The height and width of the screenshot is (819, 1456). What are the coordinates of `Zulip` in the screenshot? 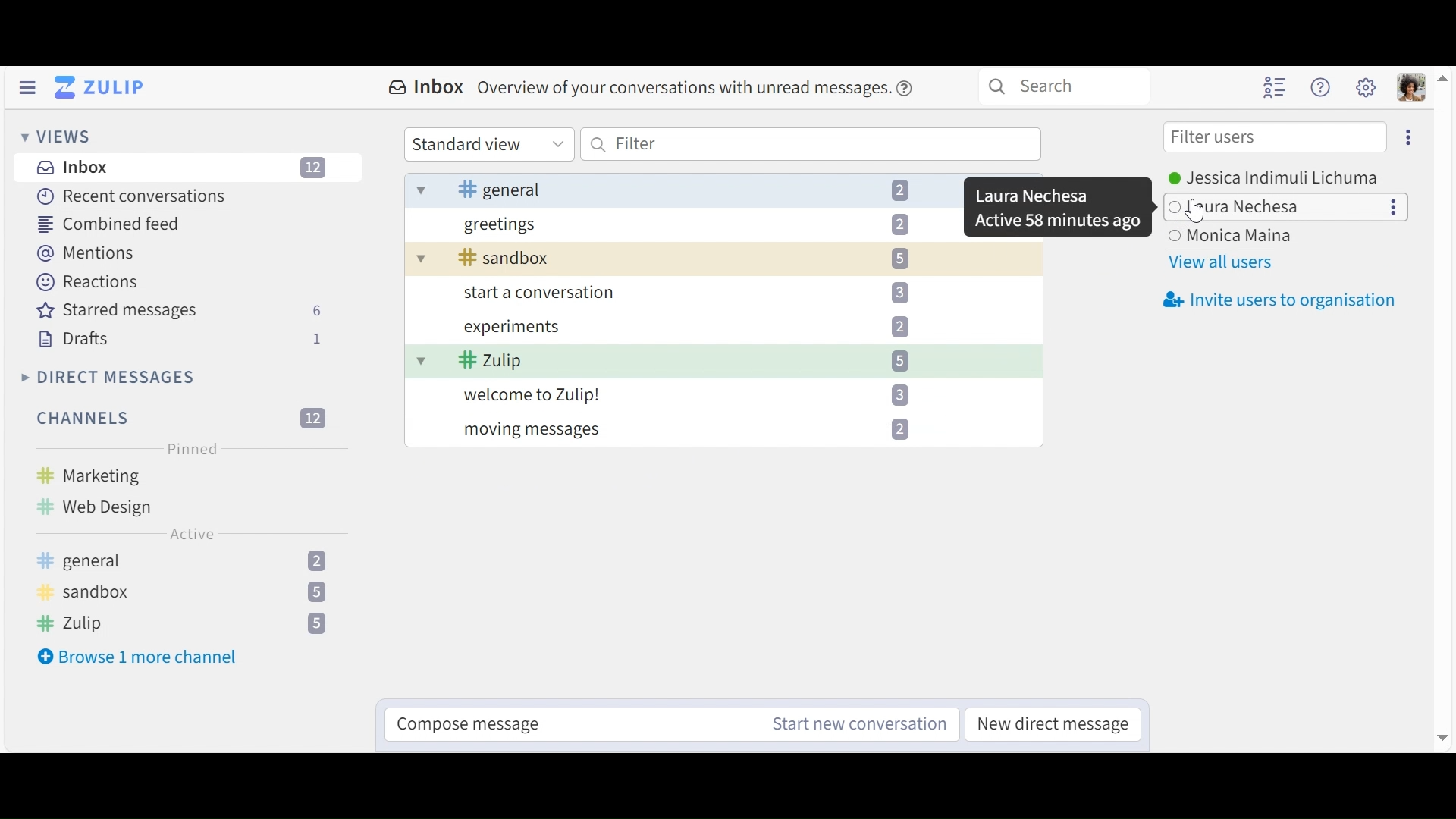 It's located at (178, 622).